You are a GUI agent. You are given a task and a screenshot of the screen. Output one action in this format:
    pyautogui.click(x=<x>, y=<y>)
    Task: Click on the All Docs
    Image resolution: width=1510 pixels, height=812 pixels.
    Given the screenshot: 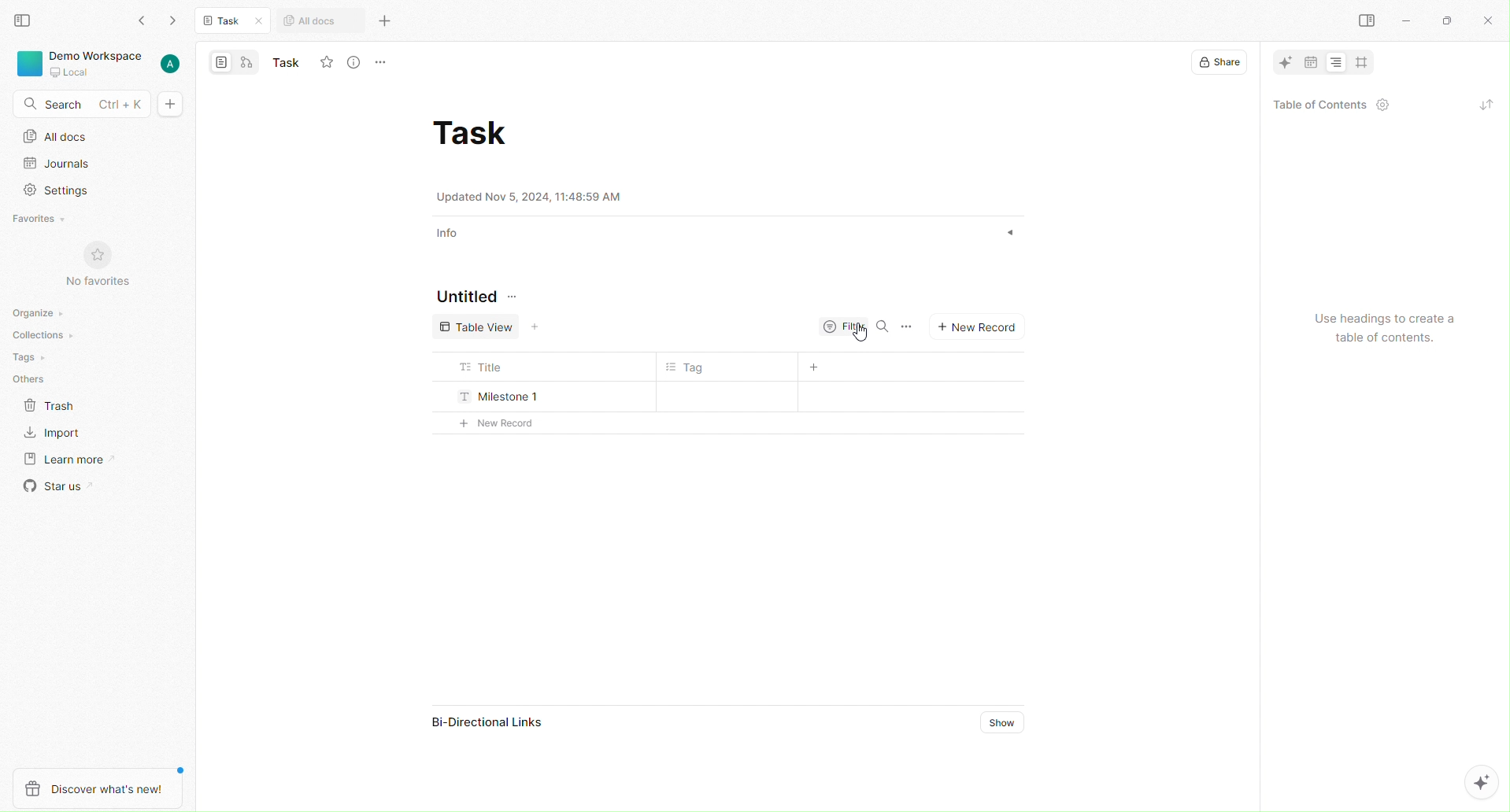 What is the action you would take?
    pyautogui.click(x=62, y=138)
    